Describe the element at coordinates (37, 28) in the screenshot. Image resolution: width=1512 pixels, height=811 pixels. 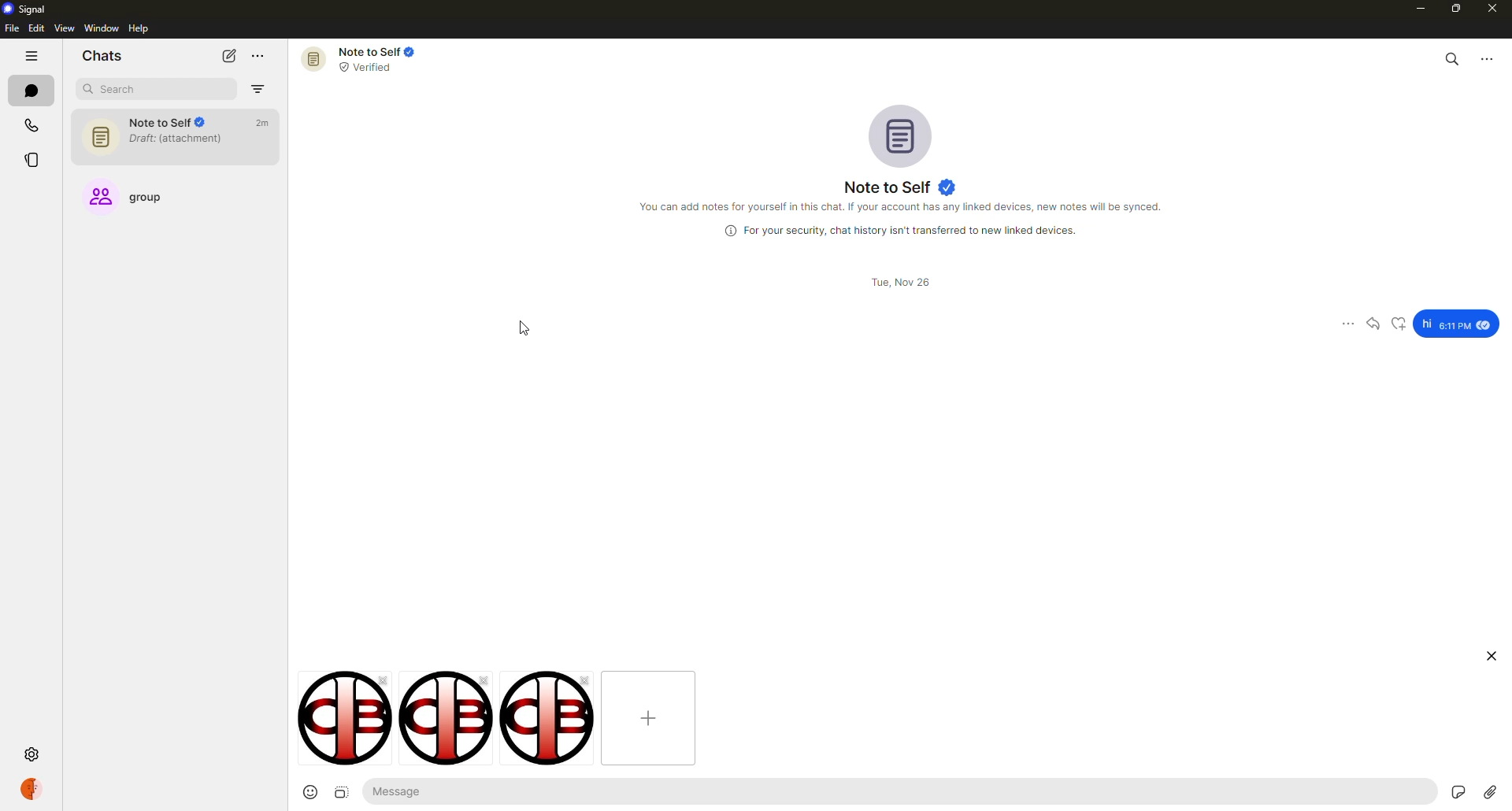
I see `edit` at that location.